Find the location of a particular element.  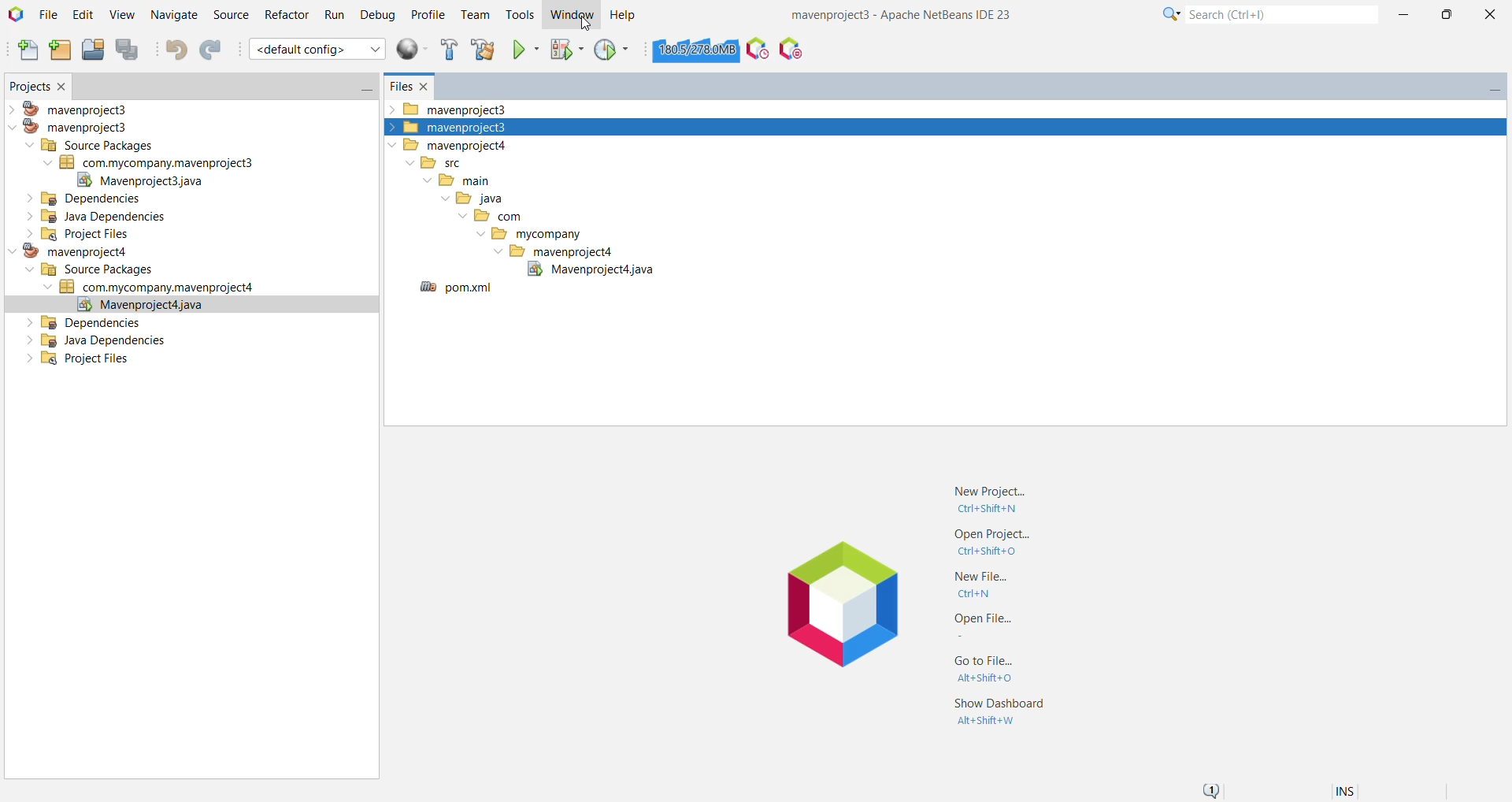

Save All is located at coordinates (130, 51).